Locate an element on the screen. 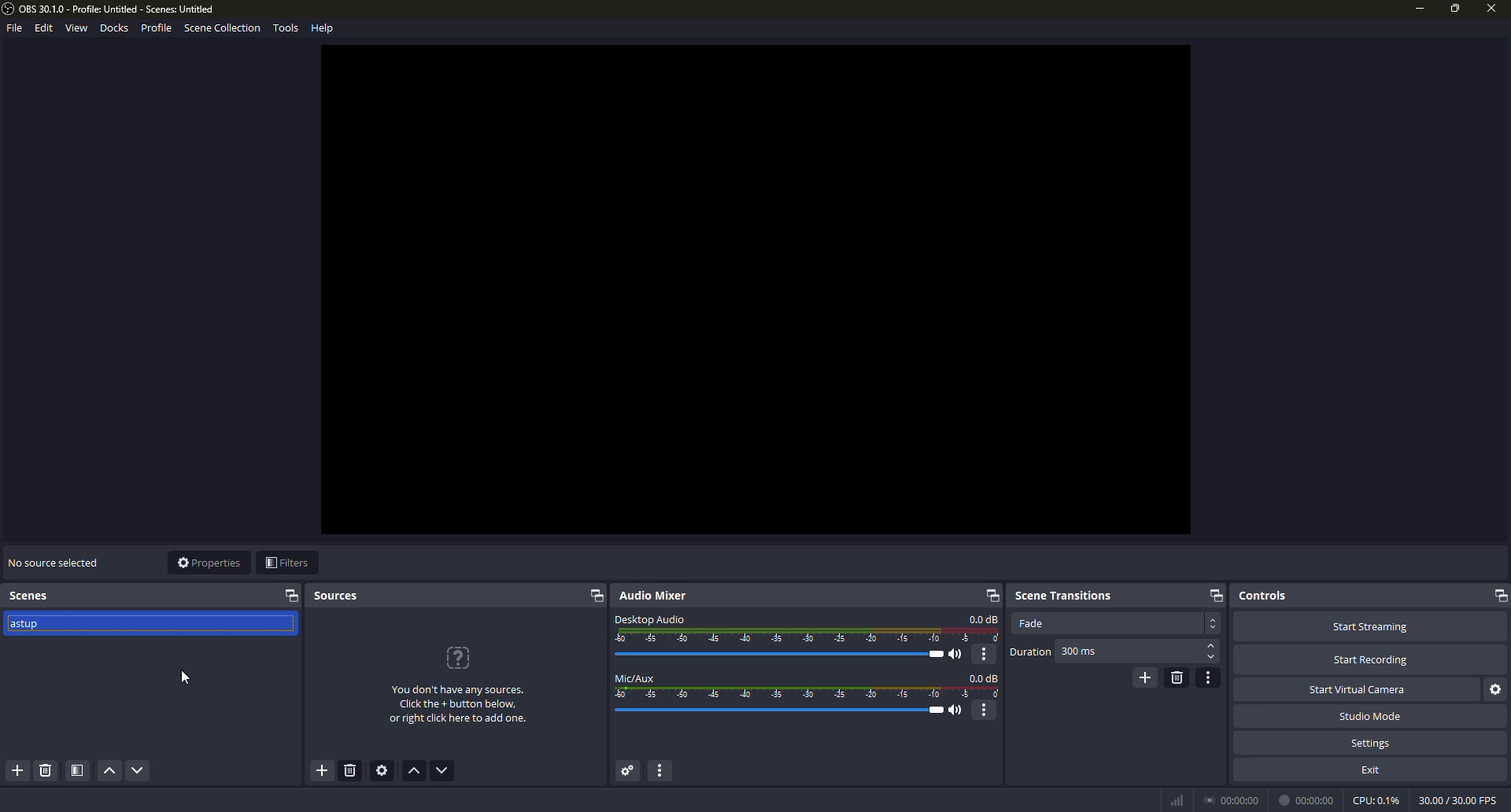 This screenshot has height=812, width=1511. help is located at coordinates (324, 27).